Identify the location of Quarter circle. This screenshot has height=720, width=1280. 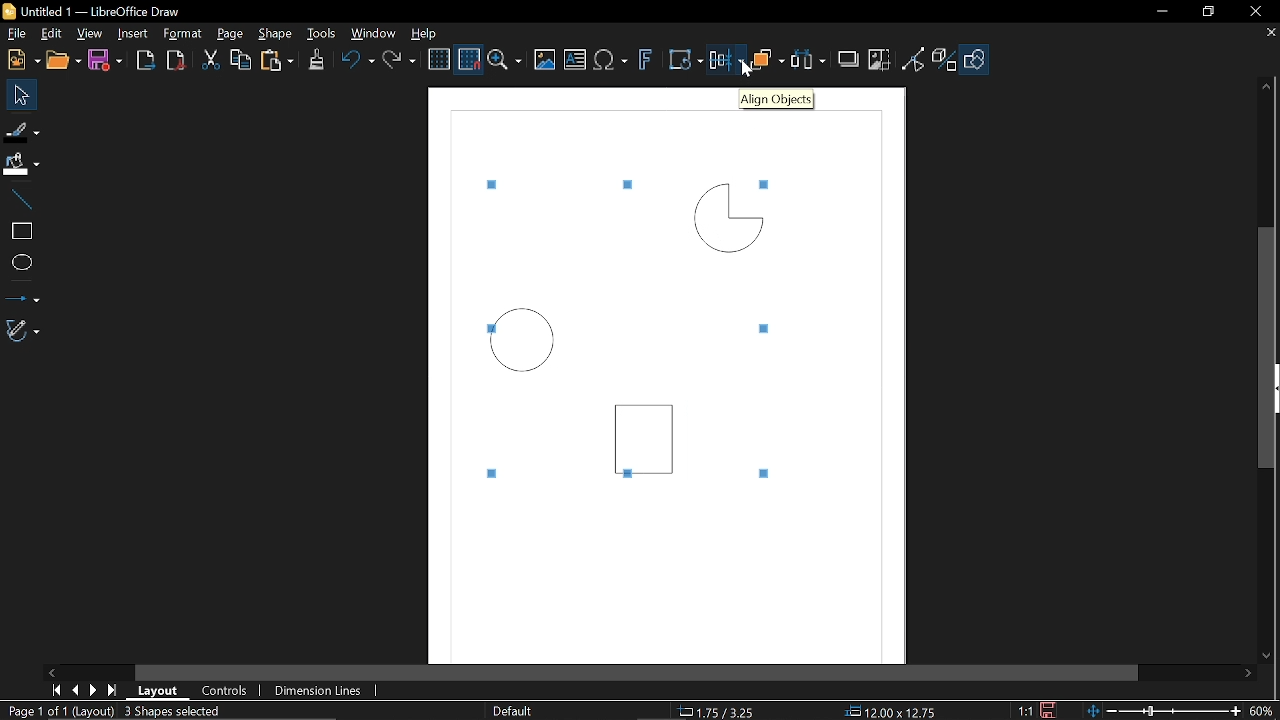
(727, 217).